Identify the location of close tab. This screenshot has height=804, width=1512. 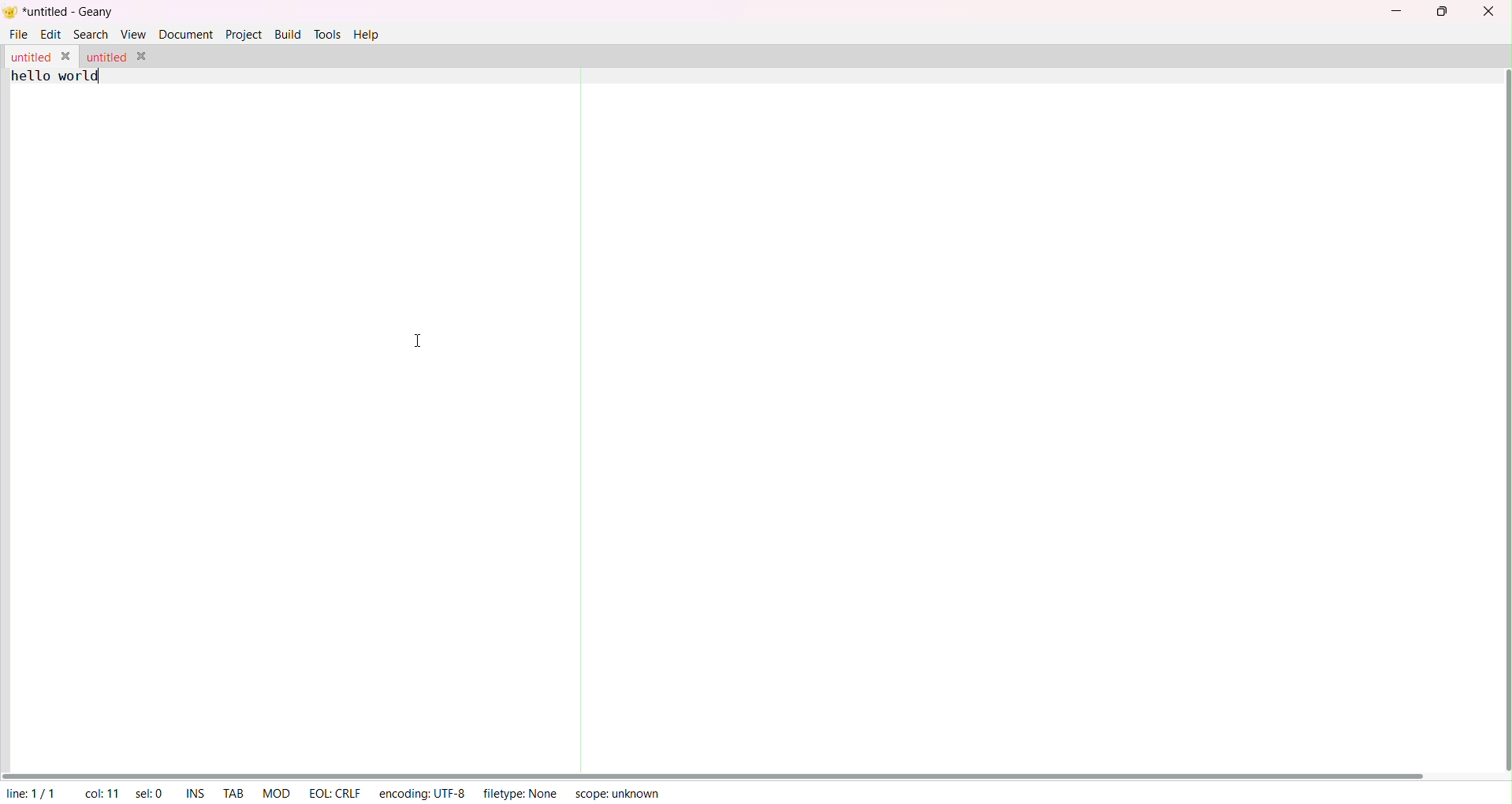
(142, 57).